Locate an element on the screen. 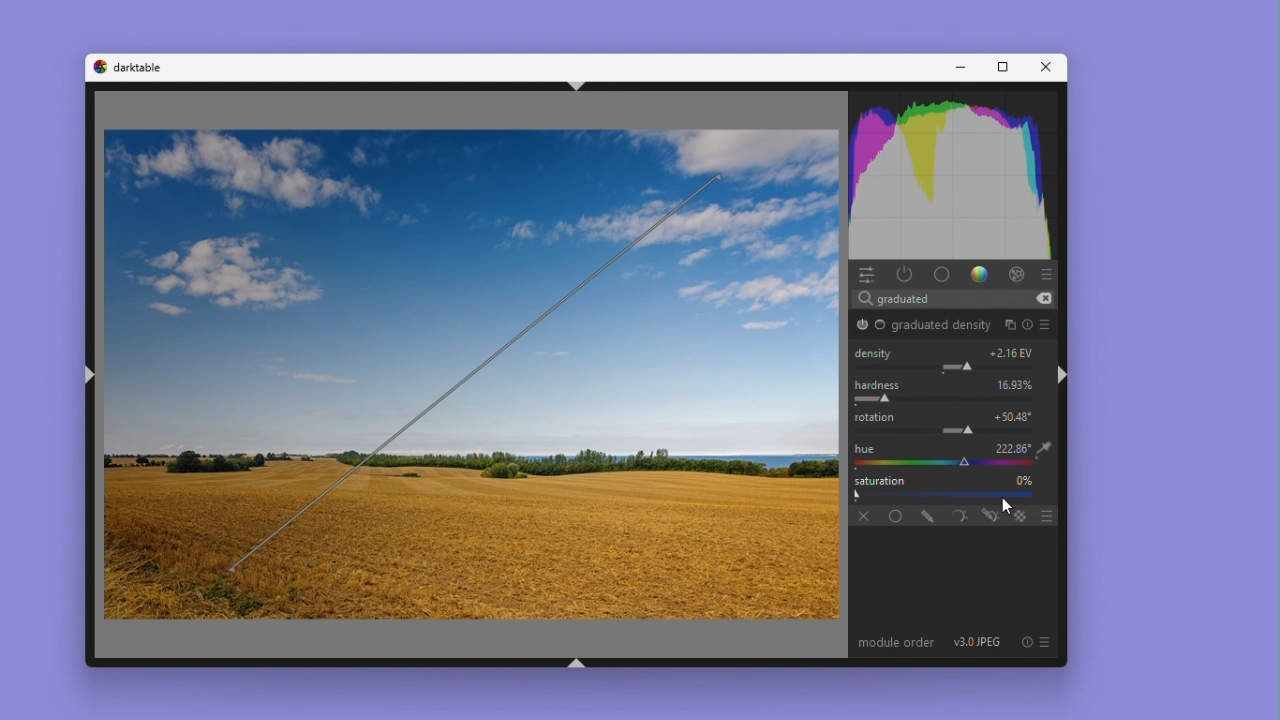  shift+ctrl+r hi is located at coordinates (1064, 374).